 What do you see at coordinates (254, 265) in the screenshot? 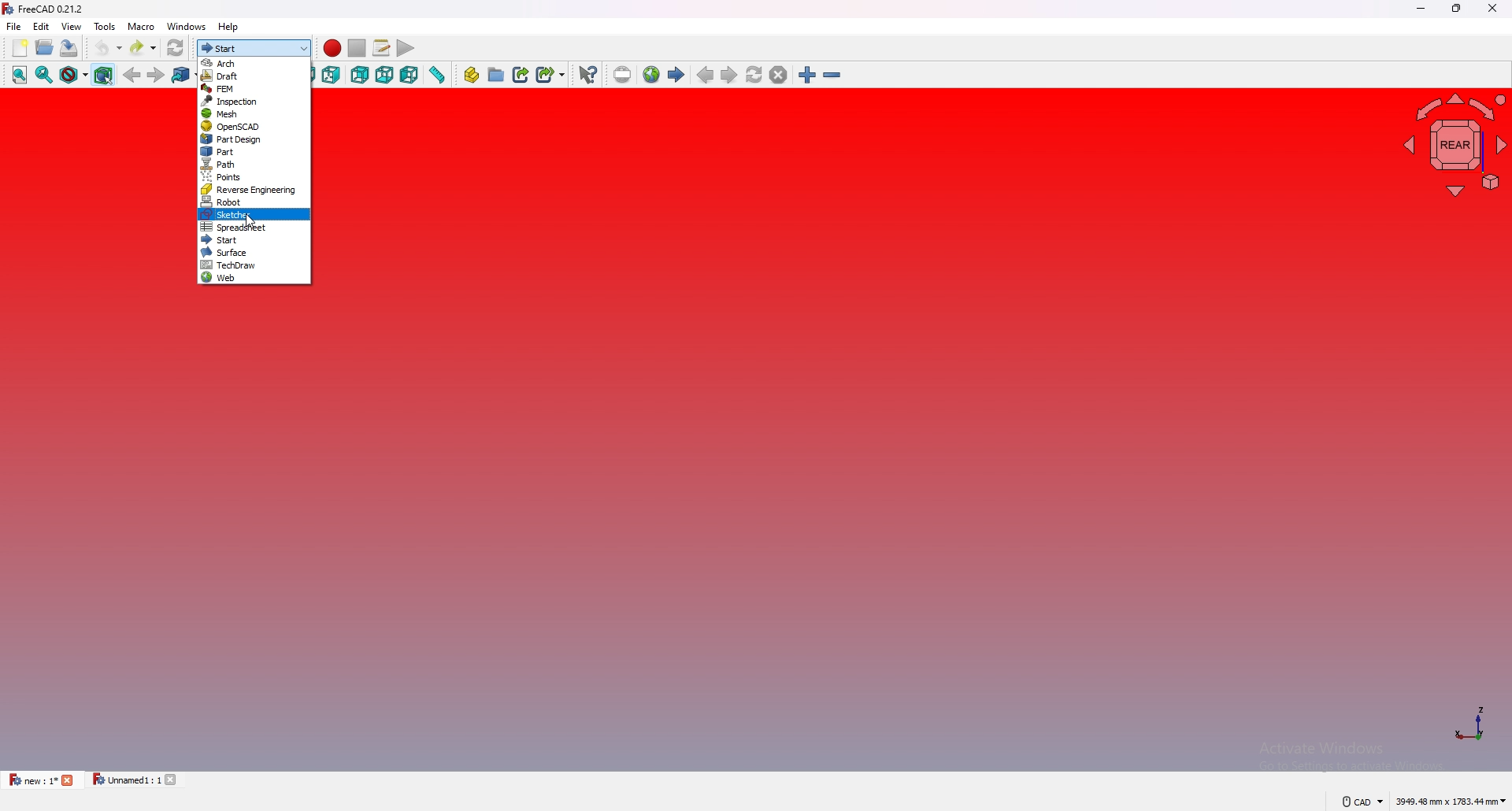
I see `techdraw` at bounding box center [254, 265].